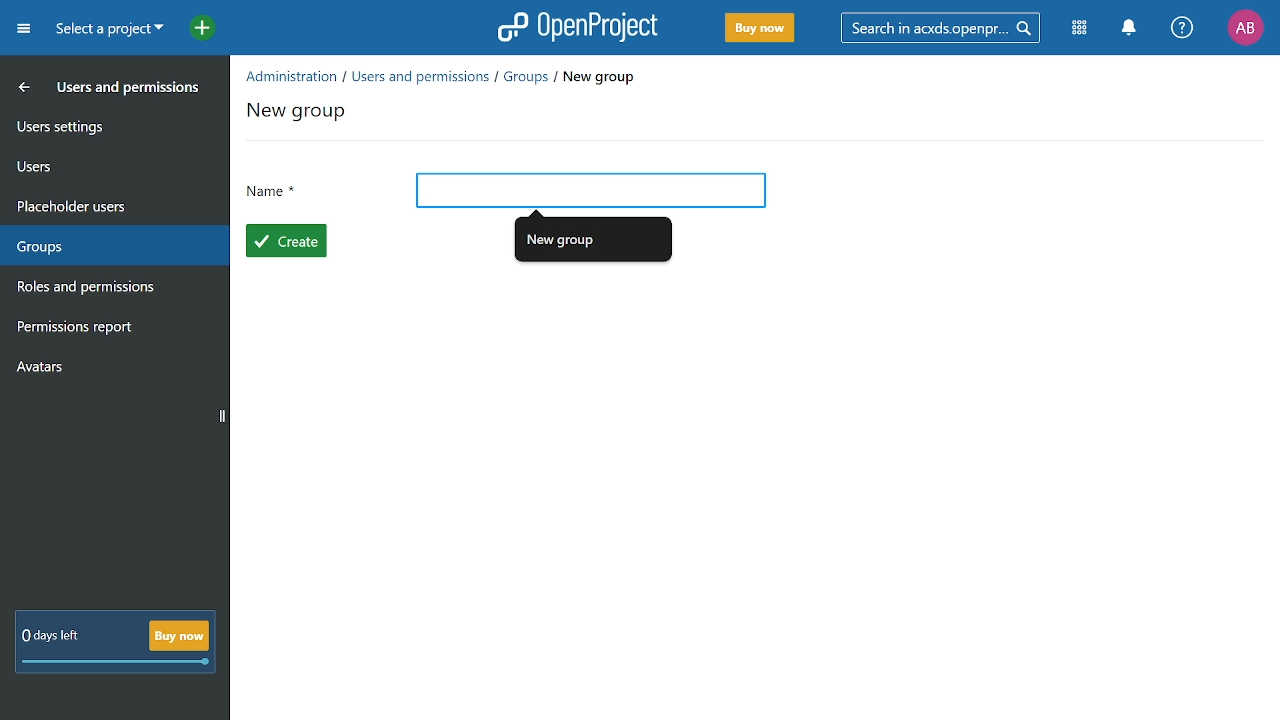  What do you see at coordinates (103, 165) in the screenshot?
I see `users` at bounding box center [103, 165].